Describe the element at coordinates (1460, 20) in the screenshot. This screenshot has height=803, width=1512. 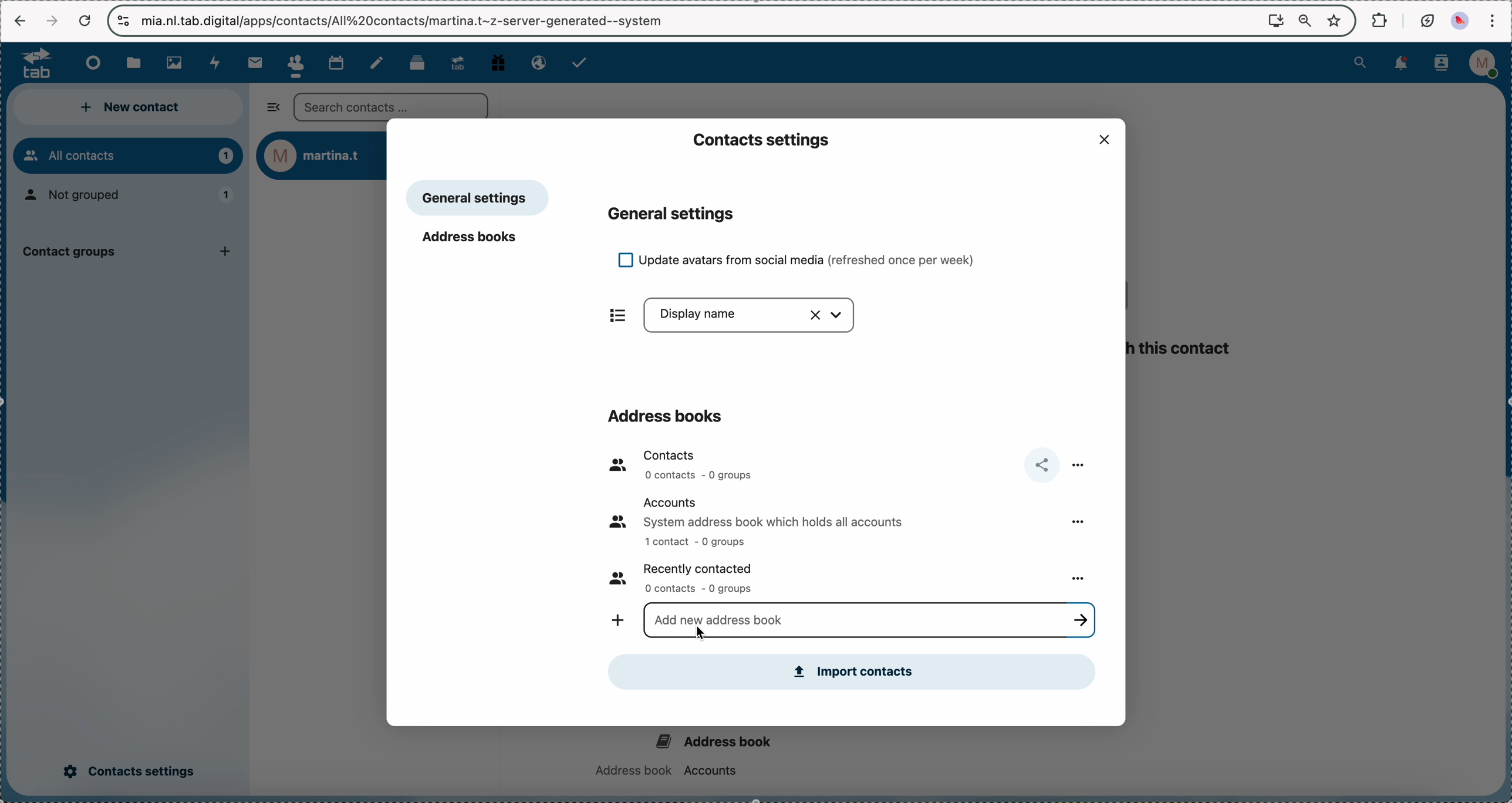
I see `profile picture` at that location.